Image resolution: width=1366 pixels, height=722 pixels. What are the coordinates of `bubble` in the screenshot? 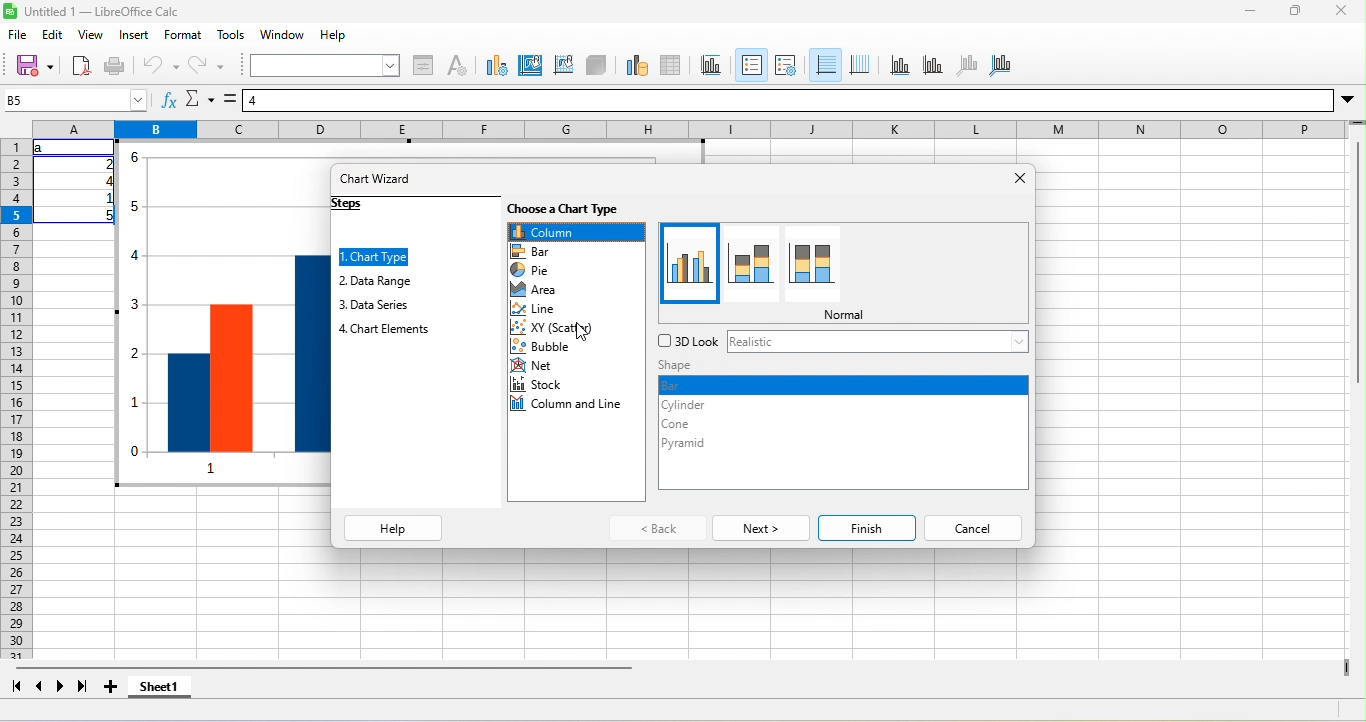 It's located at (576, 346).